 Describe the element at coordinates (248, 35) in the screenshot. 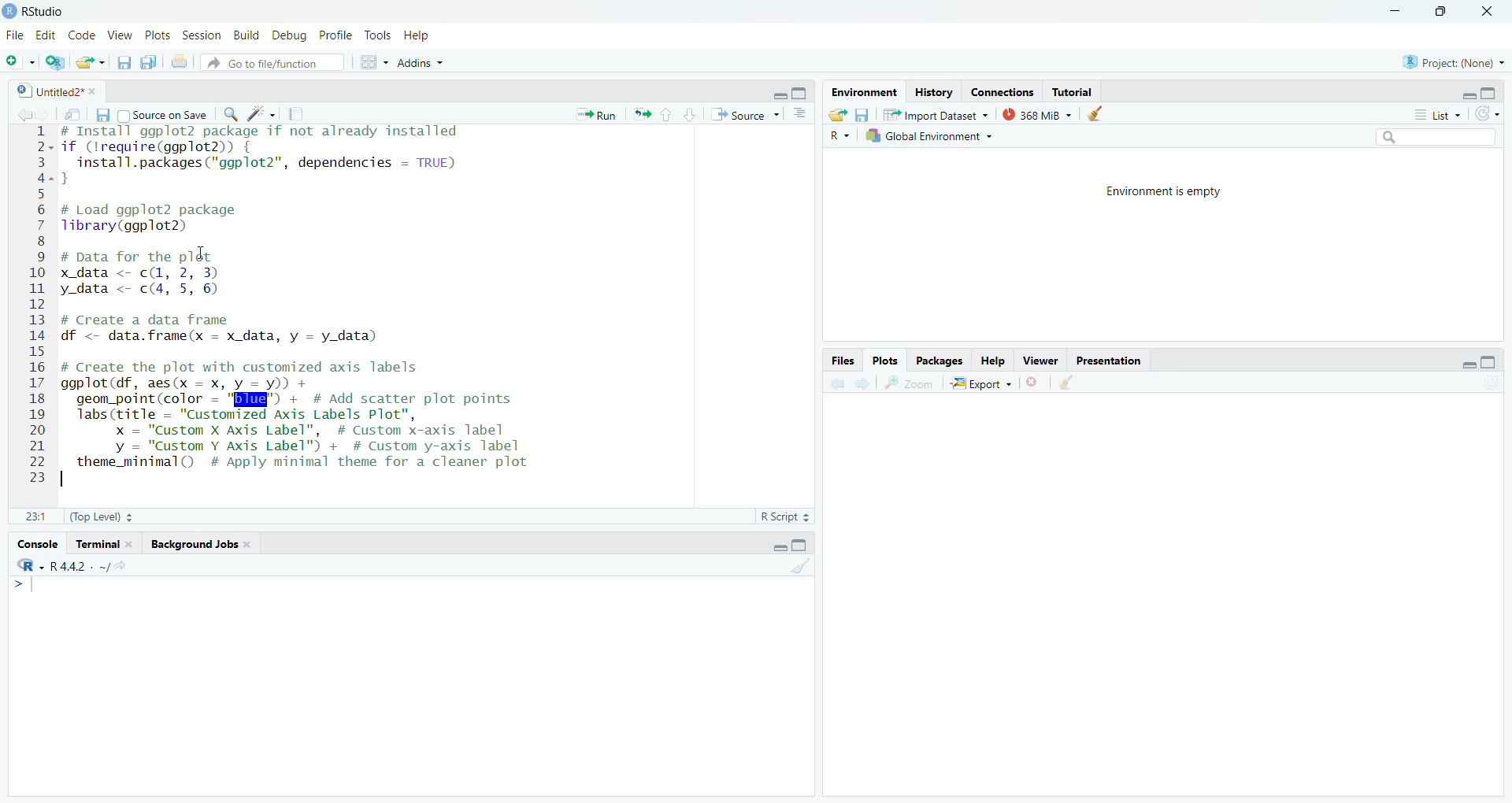

I see `Build` at that location.